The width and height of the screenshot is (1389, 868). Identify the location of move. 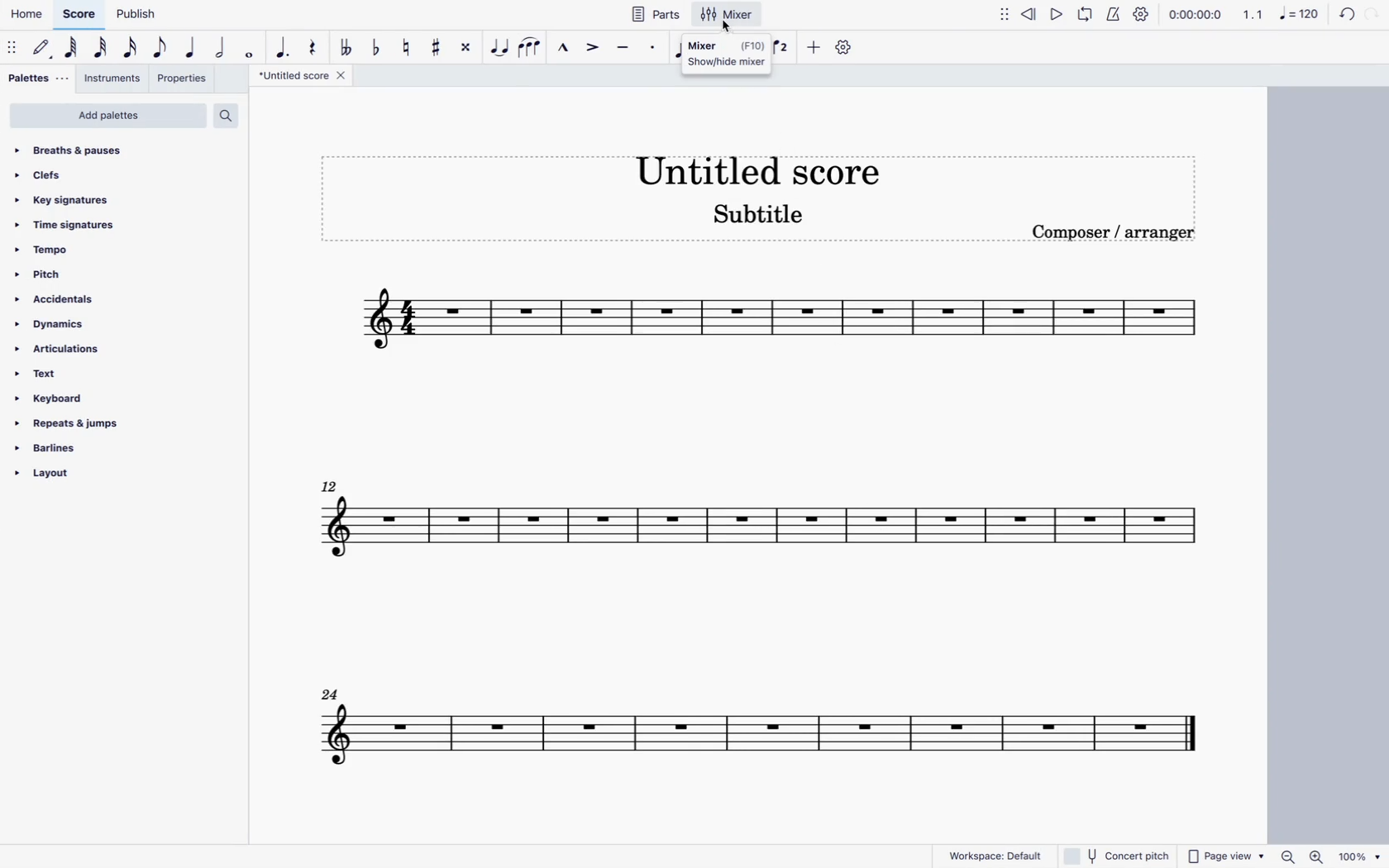
(1005, 13).